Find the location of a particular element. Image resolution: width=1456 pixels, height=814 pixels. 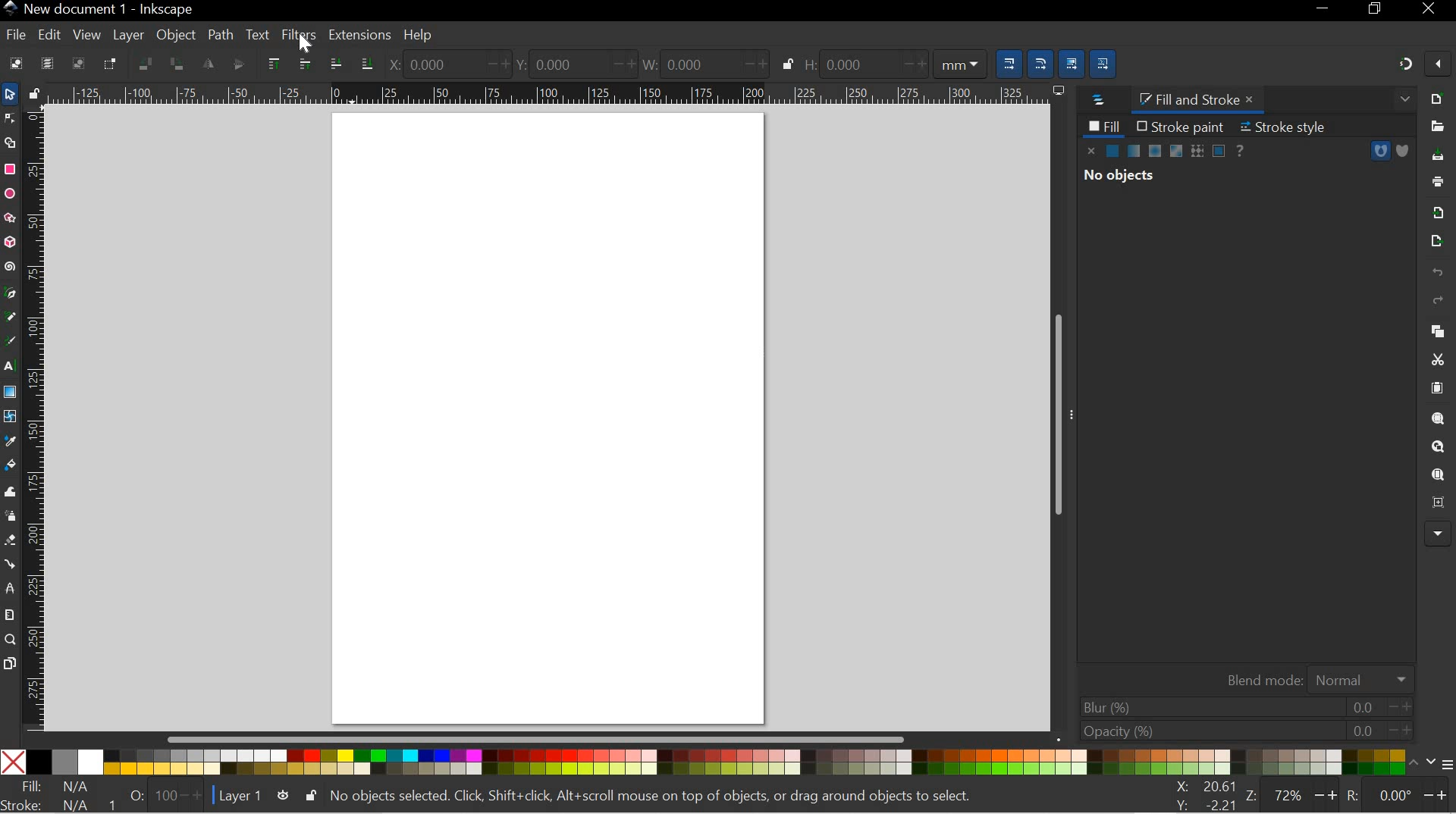

NO OBJECTS is located at coordinates (1119, 177).